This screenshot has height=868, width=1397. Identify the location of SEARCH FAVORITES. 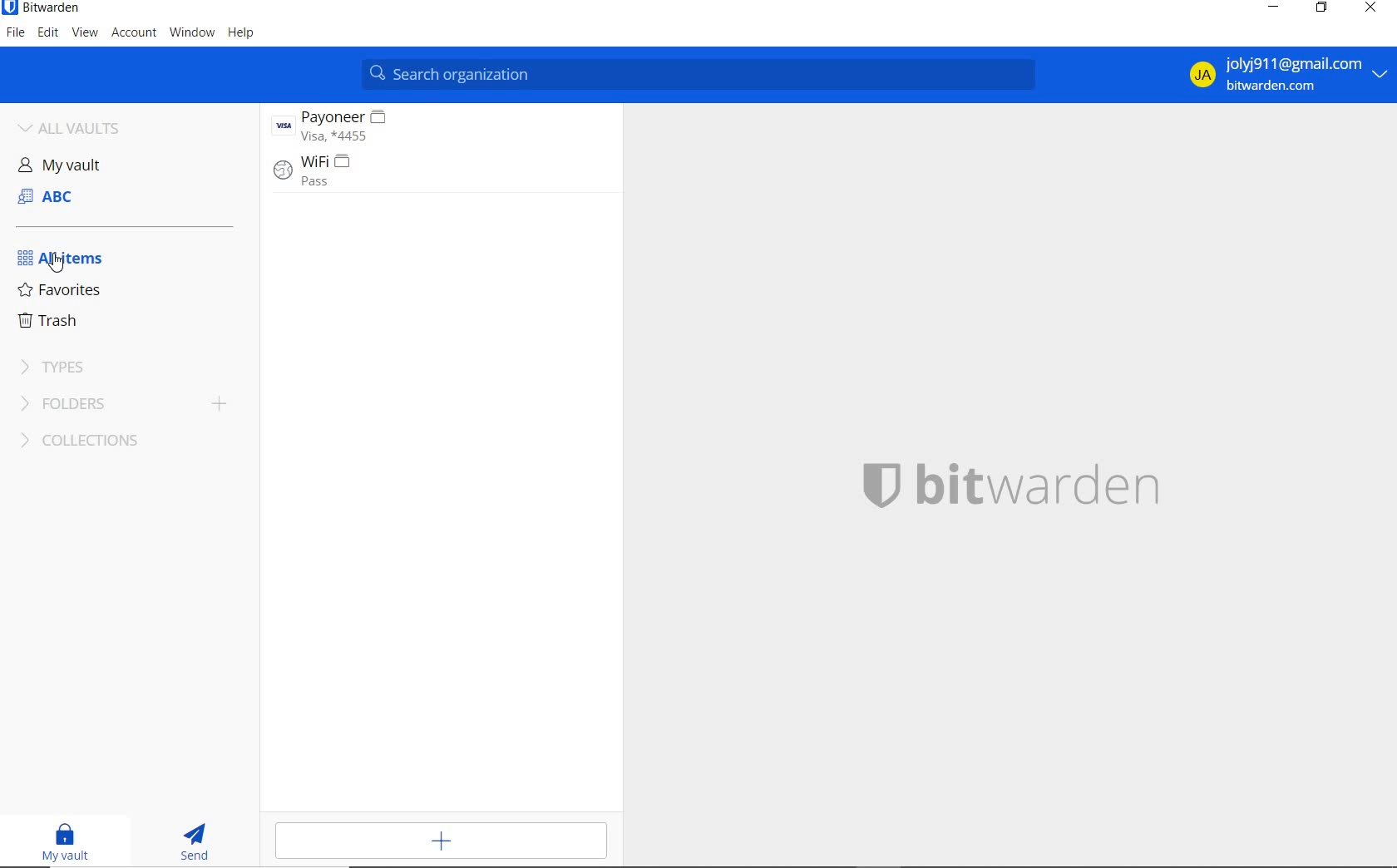
(702, 74).